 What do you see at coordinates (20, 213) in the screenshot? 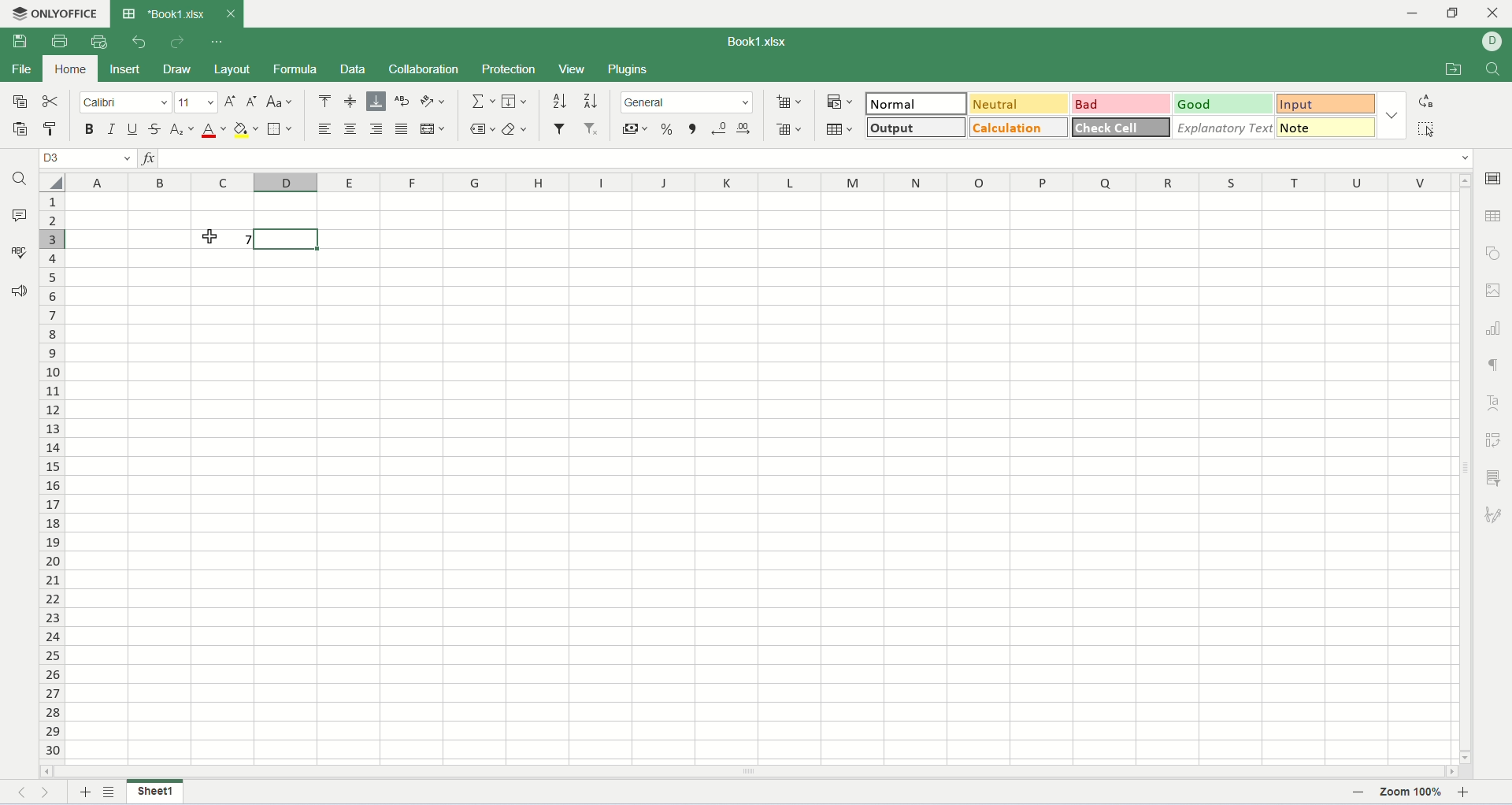
I see `comments` at bounding box center [20, 213].